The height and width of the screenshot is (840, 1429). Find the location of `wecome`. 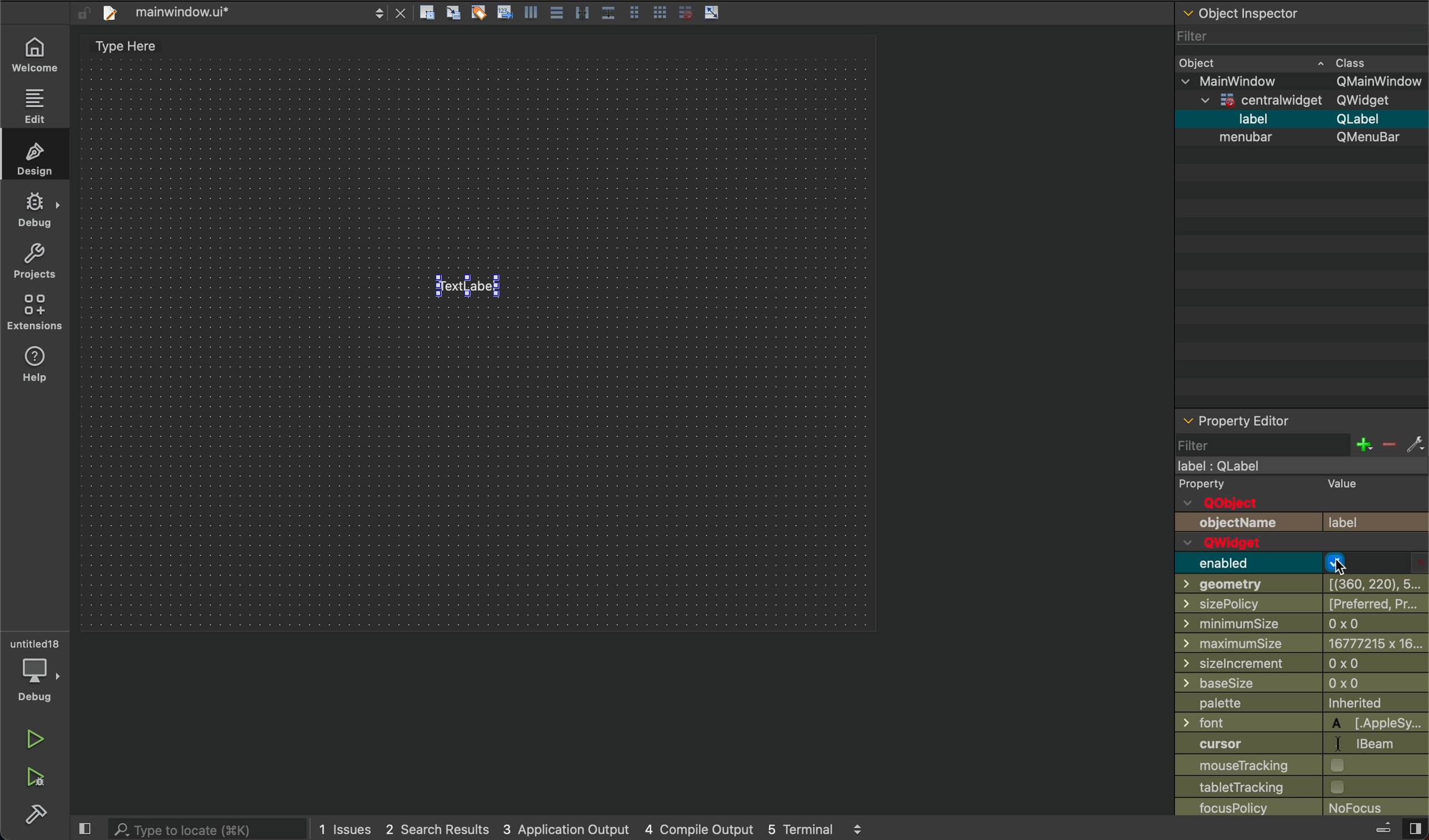

wecome is located at coordinates (36, 52).